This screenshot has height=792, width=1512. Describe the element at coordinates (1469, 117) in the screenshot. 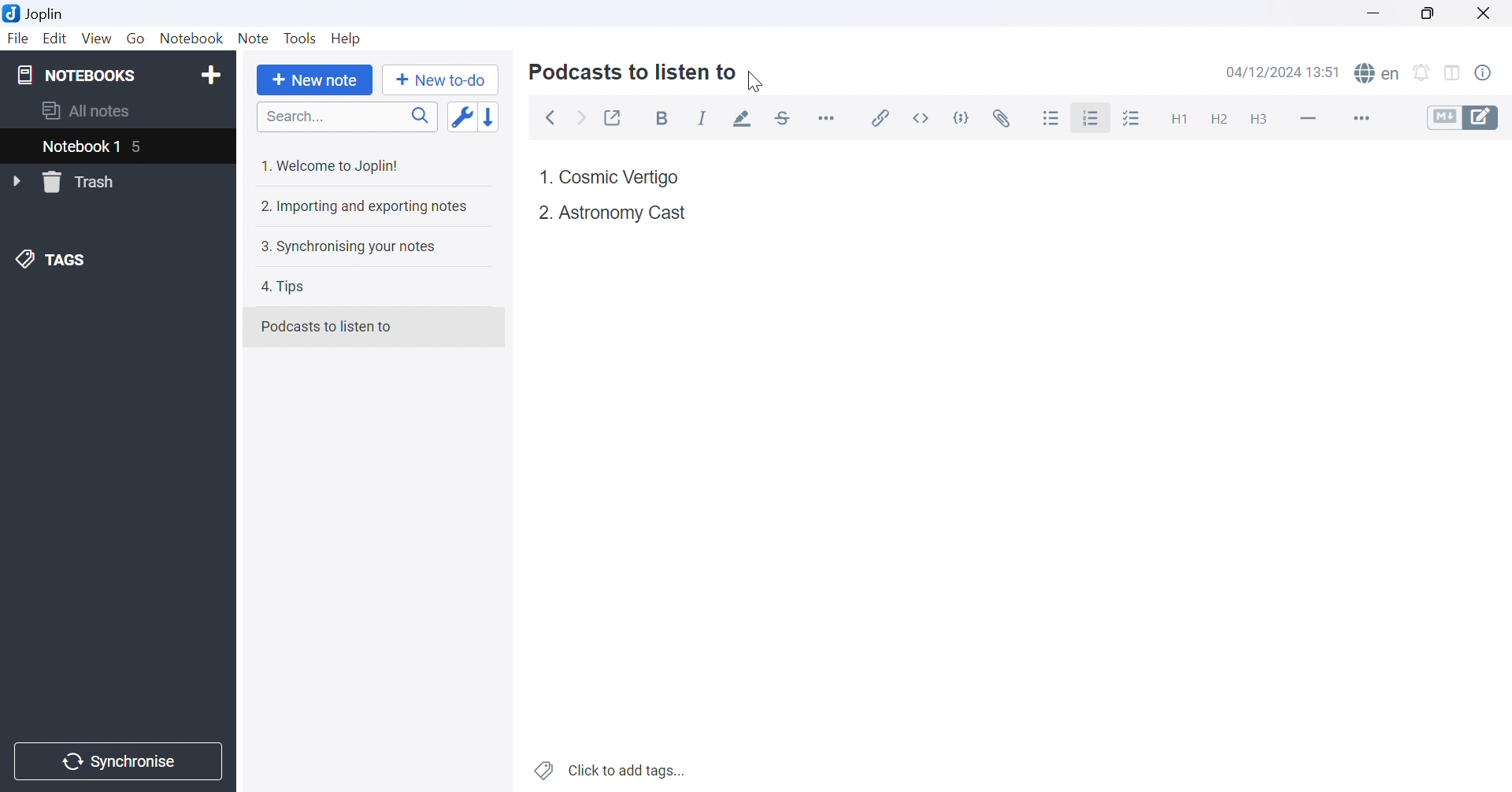

I see `Toggle editors` at that location.